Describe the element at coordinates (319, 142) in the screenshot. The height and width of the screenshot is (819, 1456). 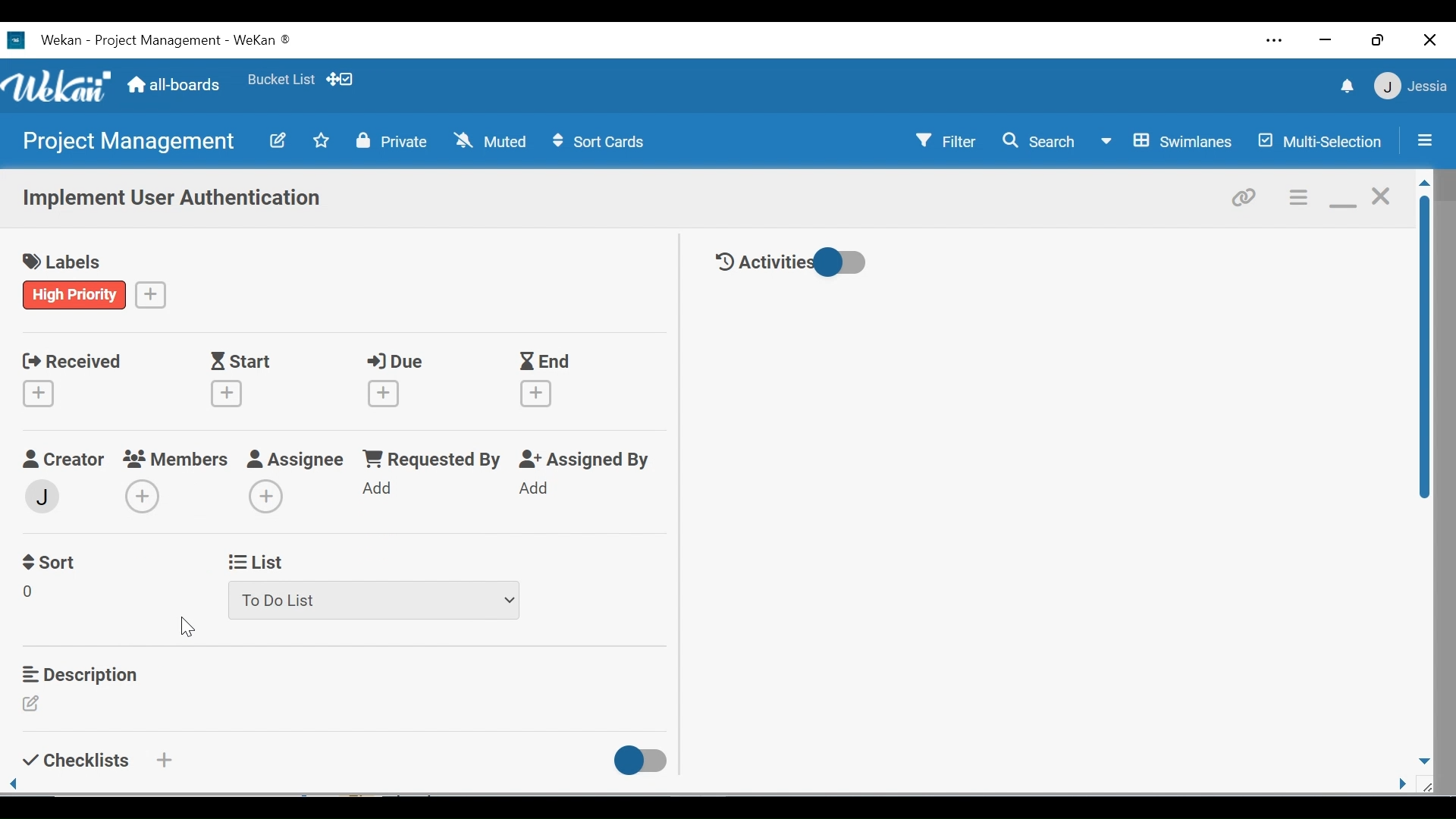
I see `toggle favorites` at that location.